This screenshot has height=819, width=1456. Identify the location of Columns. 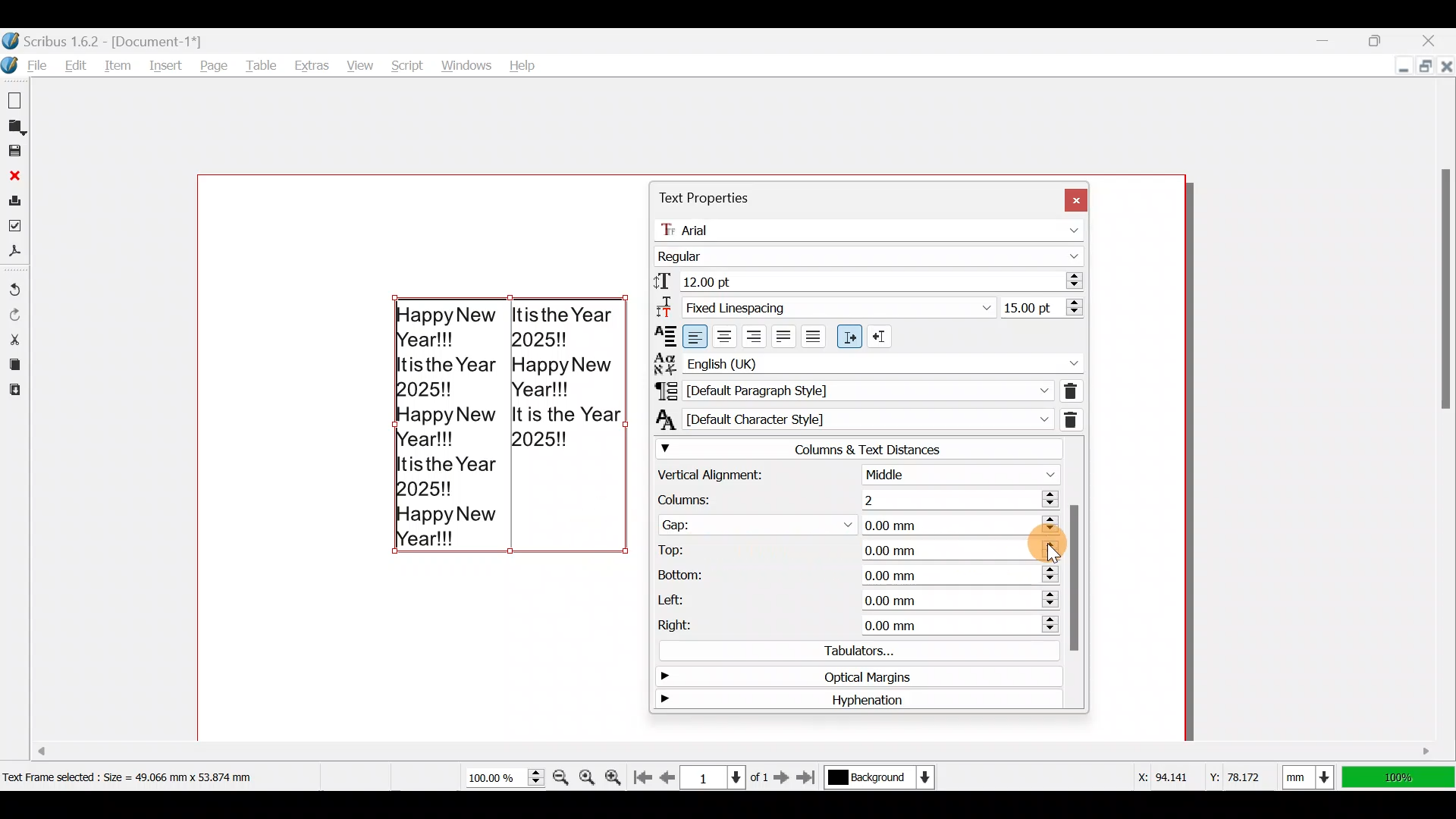
(850, 497).